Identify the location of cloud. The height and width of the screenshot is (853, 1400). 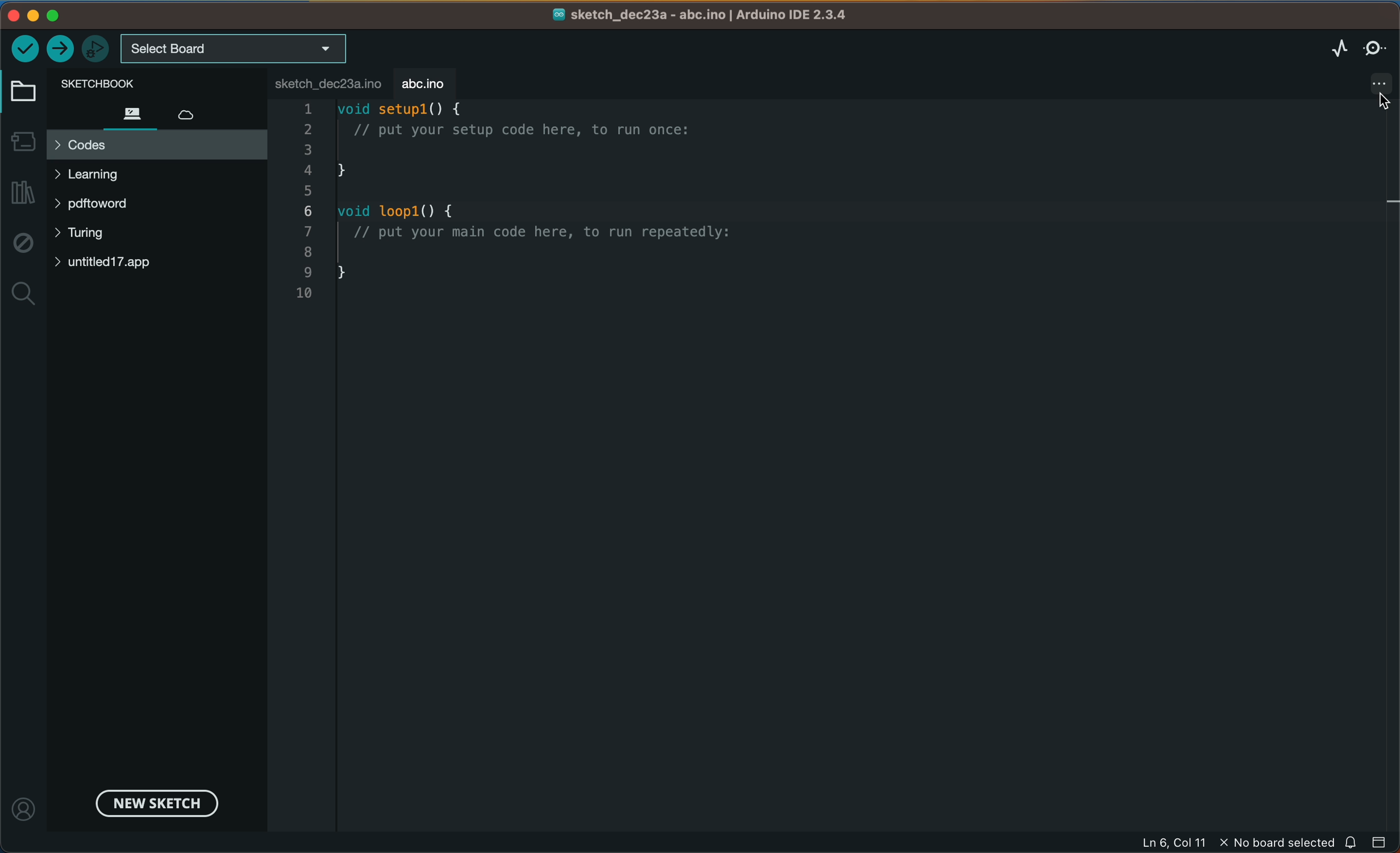
(194, 112).